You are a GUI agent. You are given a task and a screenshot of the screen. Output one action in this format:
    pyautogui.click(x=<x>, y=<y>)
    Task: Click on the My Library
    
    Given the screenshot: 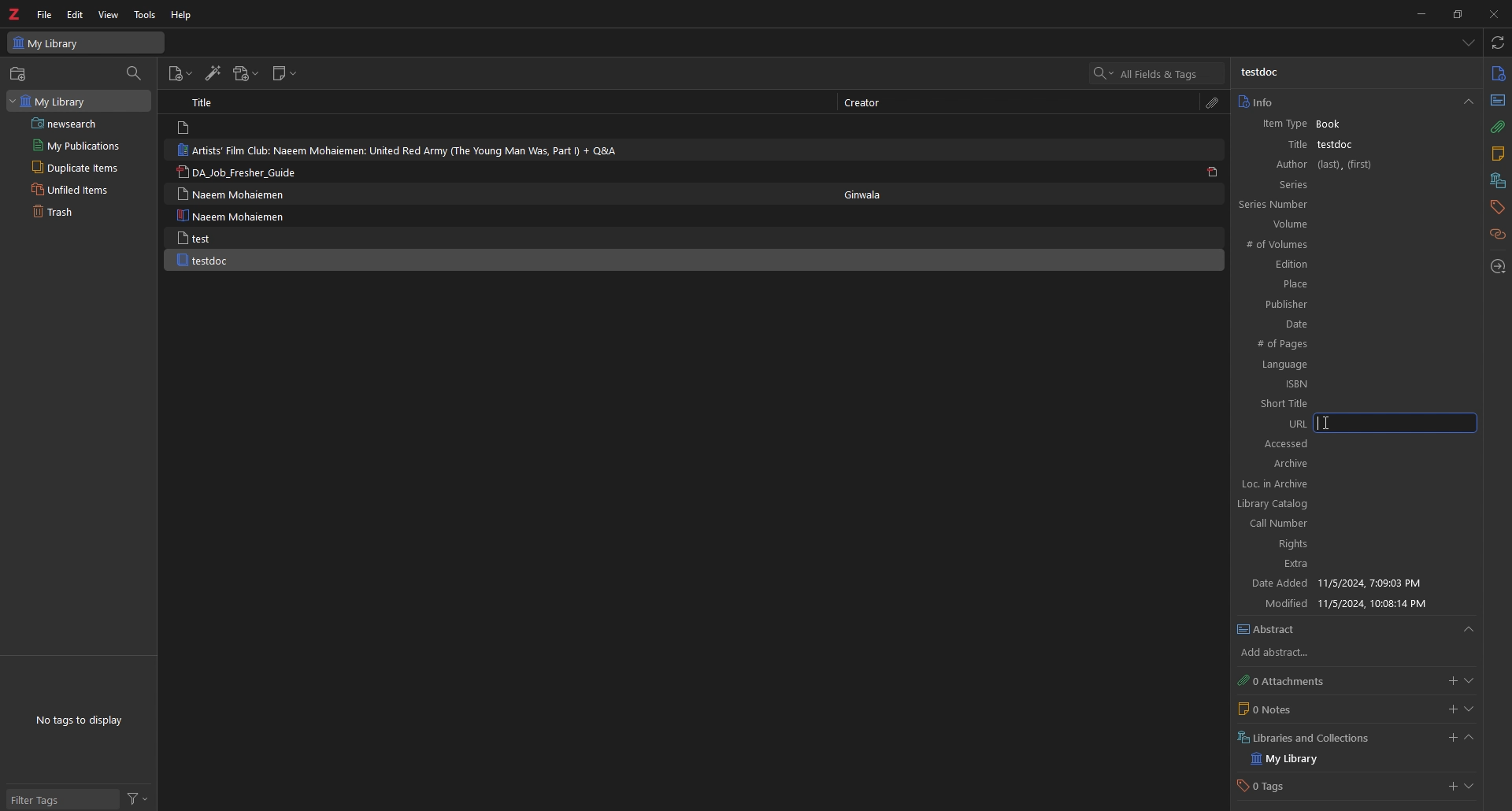 What is the action you would take?
    pyautogui.click(x=86, y=43)
    